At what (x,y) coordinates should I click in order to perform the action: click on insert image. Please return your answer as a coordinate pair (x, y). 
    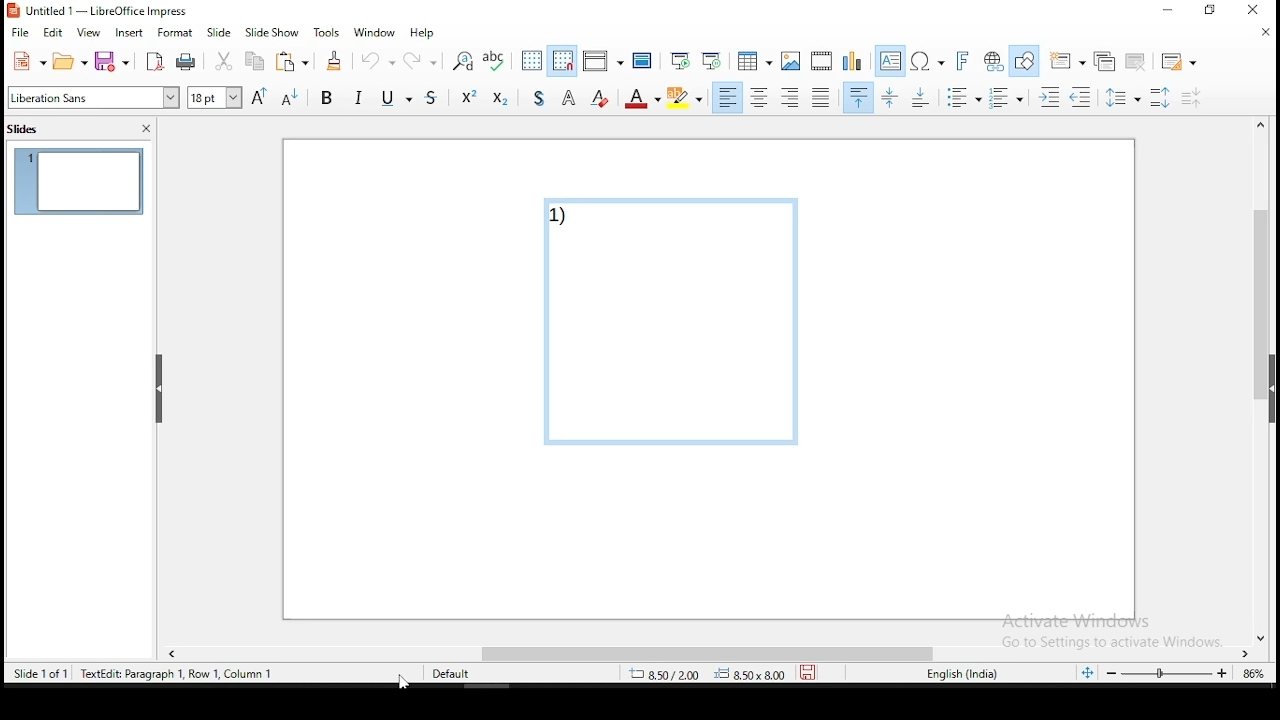
    Looking at the image, I should click on (792, 61).